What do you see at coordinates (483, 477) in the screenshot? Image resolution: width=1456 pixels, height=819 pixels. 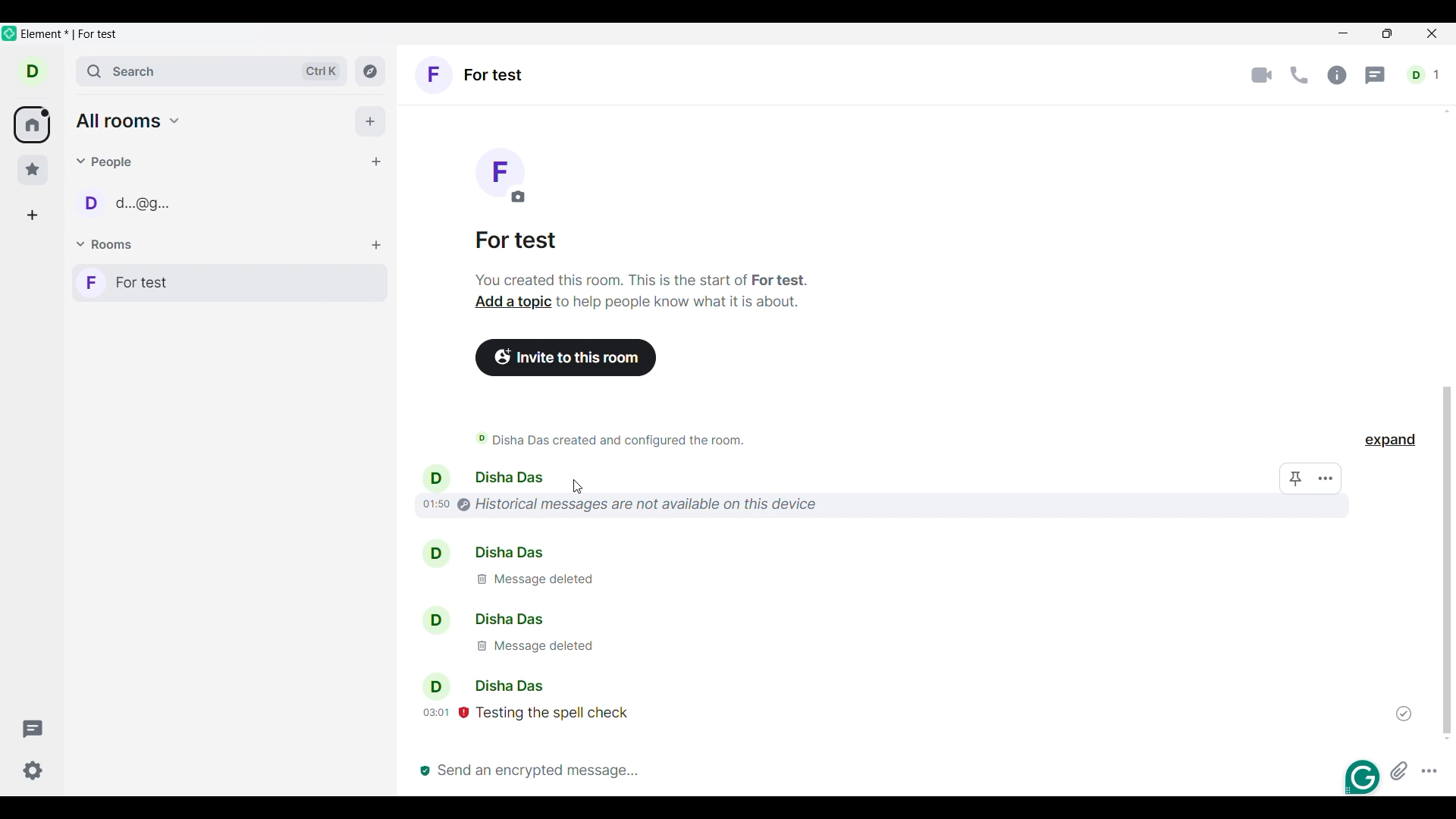 I see `disha das` at bounding box center [483, 477].